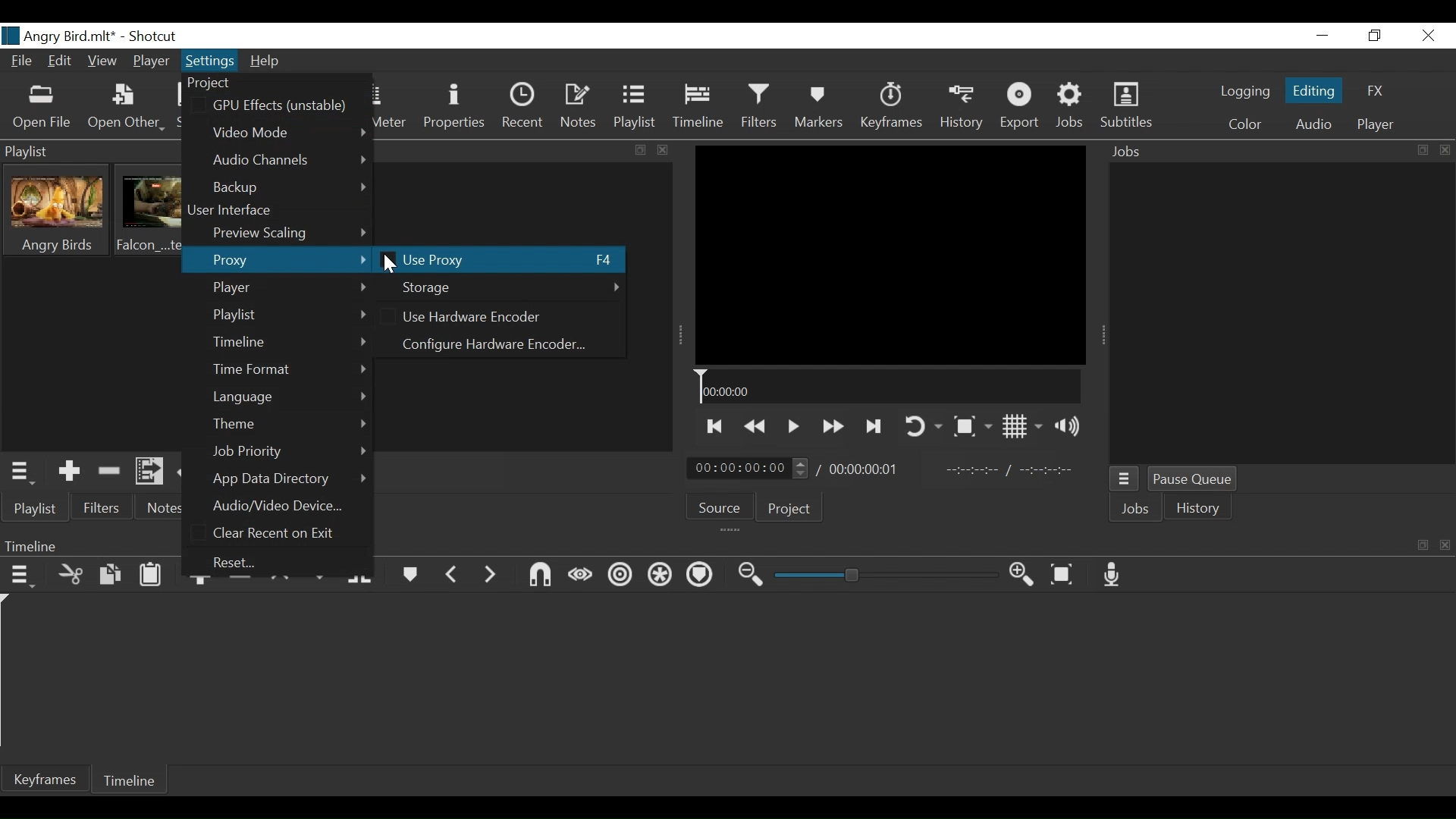 The width and height of the screenshot is (1456, 819). I want to click on Markers, so click(821, 108).